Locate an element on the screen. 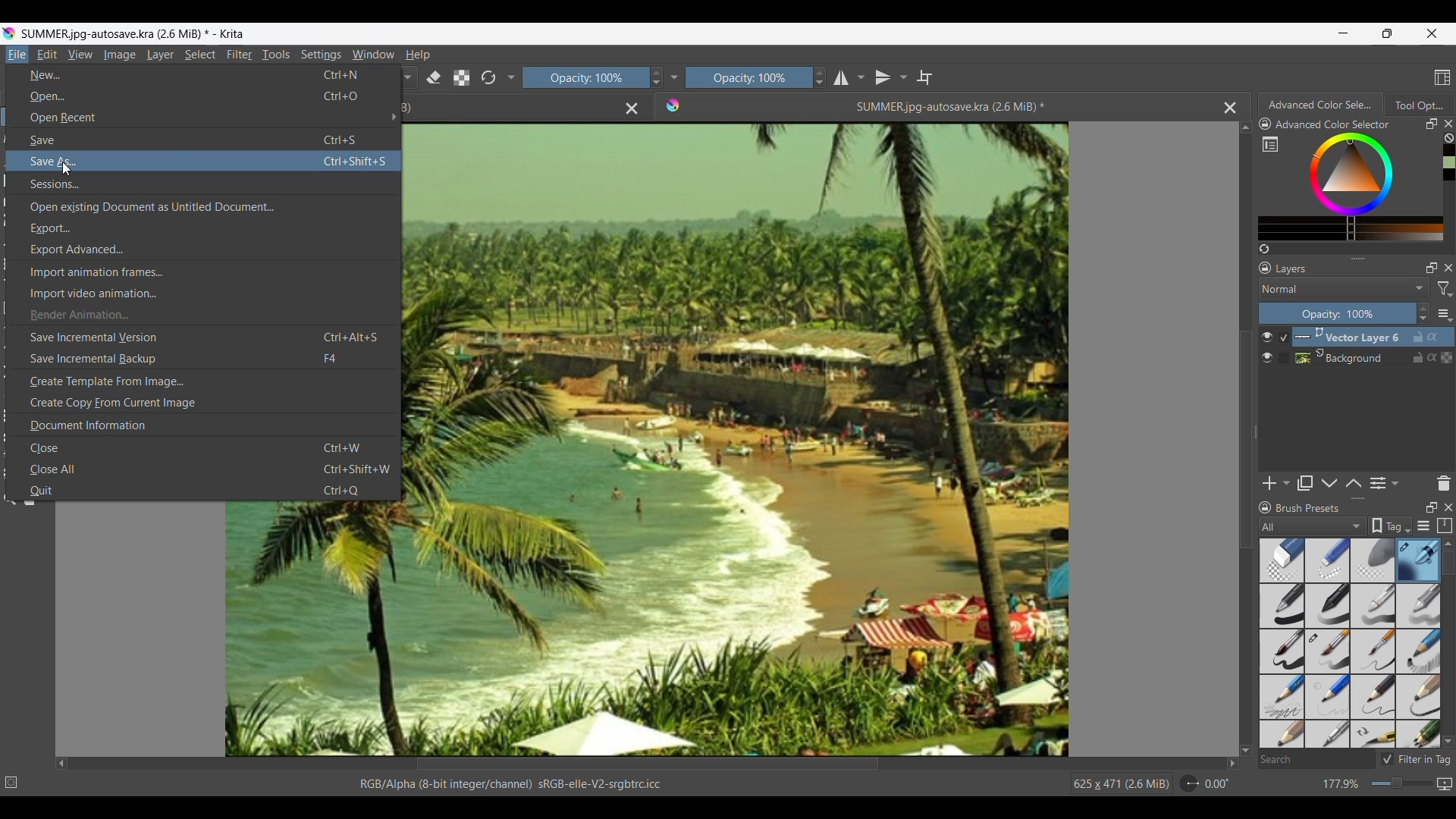  Current tab is located at coordinates (1317, 104).